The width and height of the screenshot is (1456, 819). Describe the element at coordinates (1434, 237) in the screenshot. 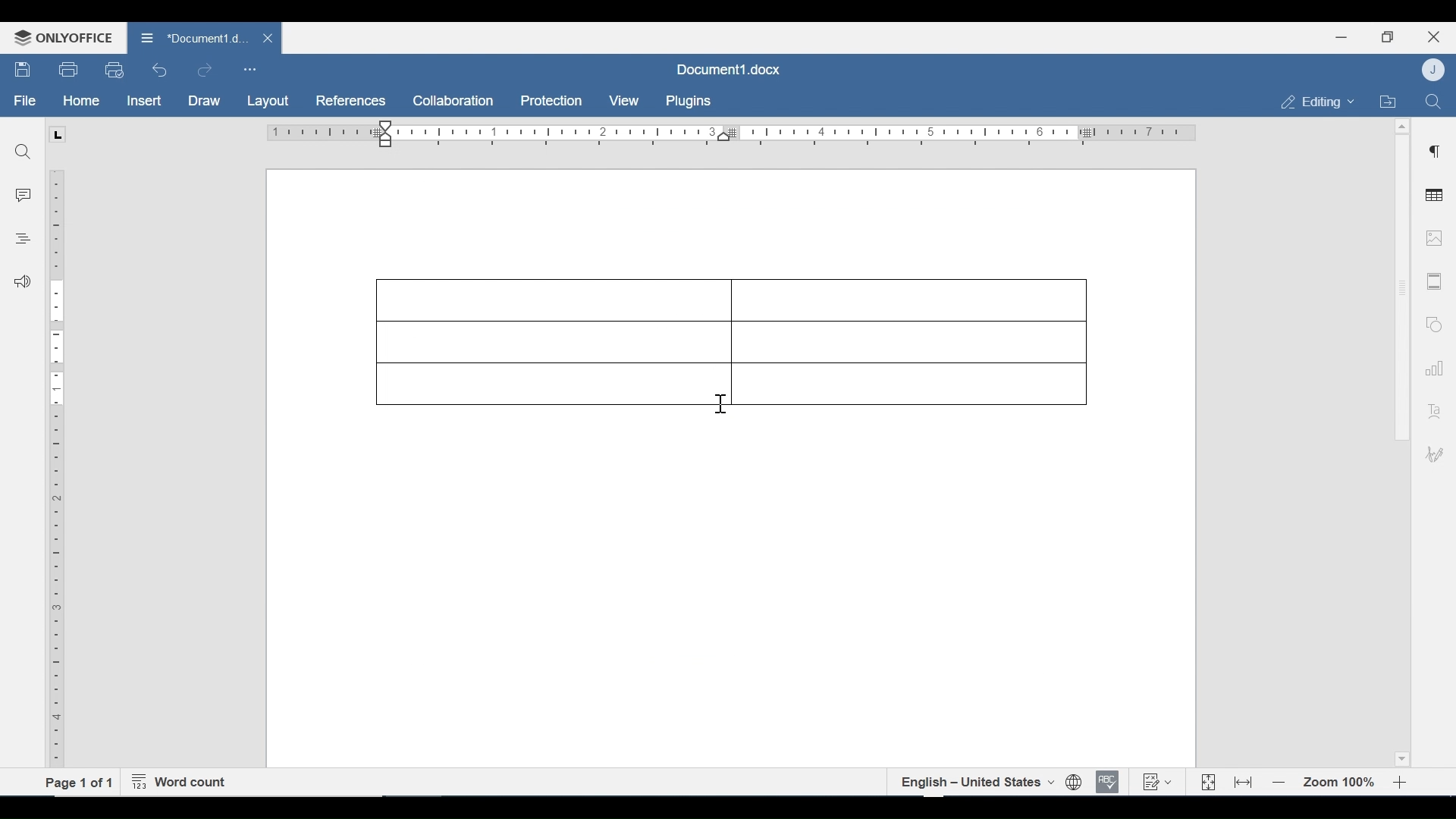

I see `image` at that location.